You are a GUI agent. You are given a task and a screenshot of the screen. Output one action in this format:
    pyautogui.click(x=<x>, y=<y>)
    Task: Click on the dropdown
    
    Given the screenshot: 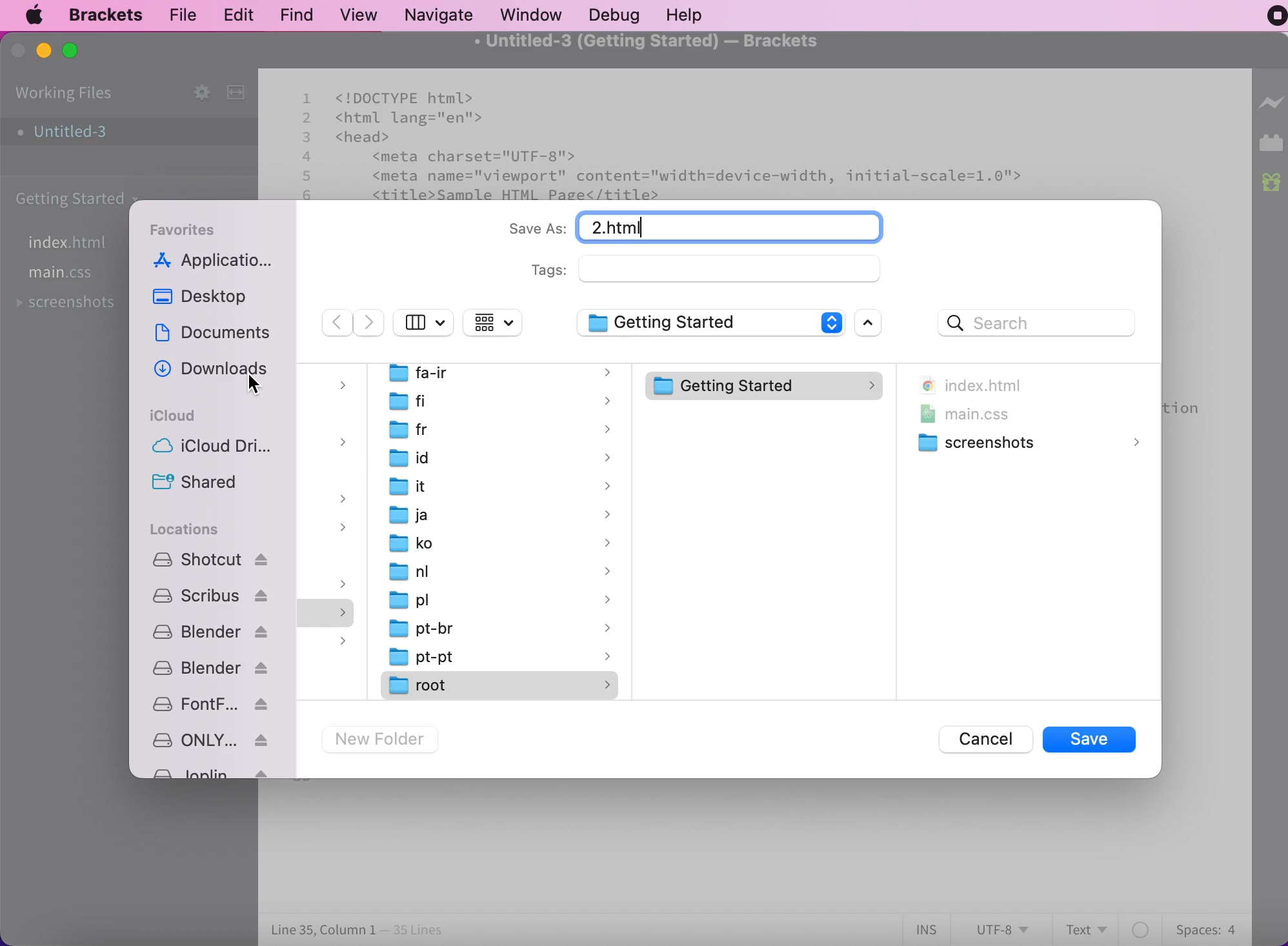 What is the action you would take?
    pyautogui.click(x=343, y=613)
    